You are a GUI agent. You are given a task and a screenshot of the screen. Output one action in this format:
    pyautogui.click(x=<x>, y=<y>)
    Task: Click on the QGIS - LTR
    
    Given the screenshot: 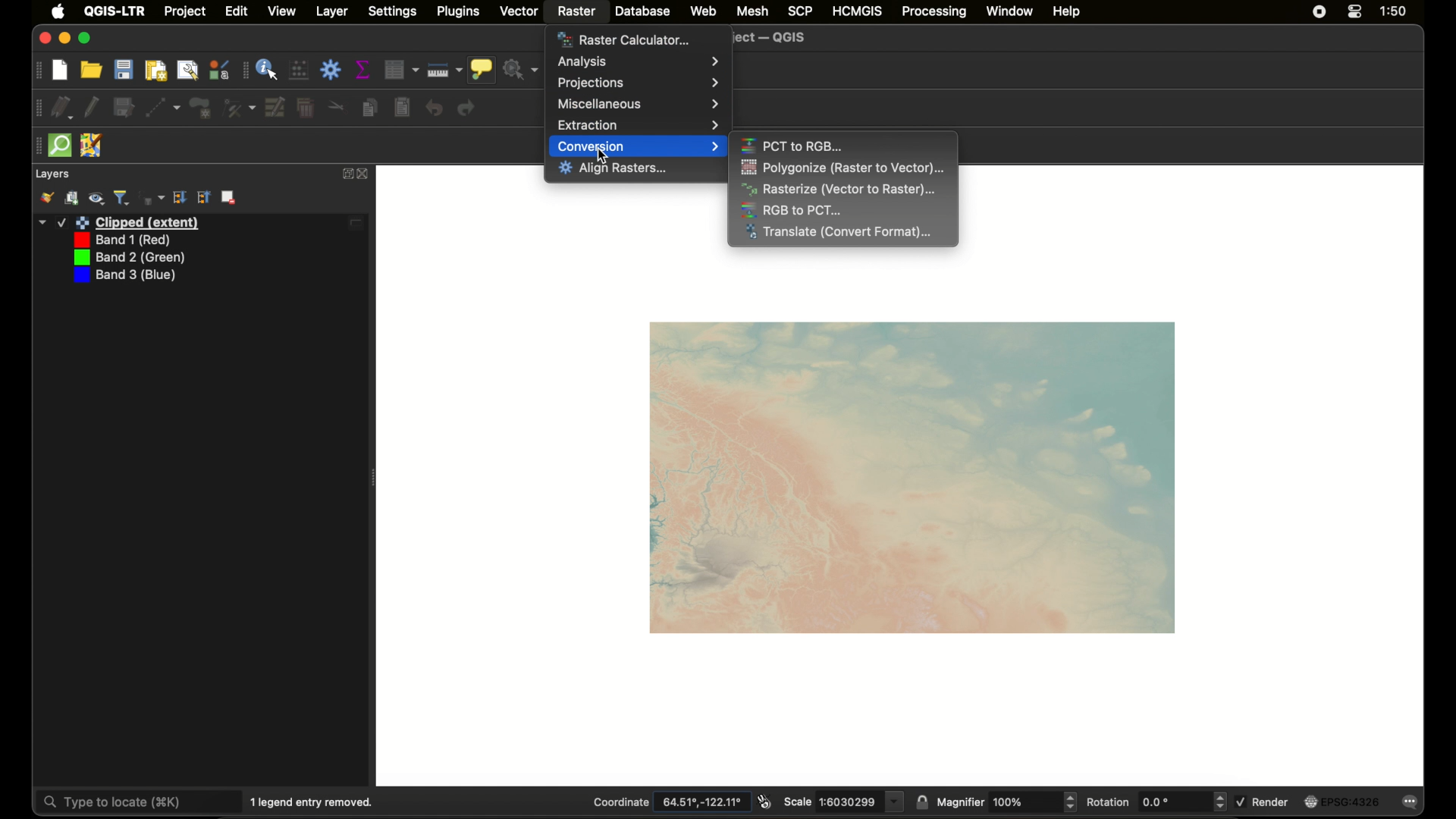 What is the action you would take?
    pyautogui.click(x=115, y=11)
    